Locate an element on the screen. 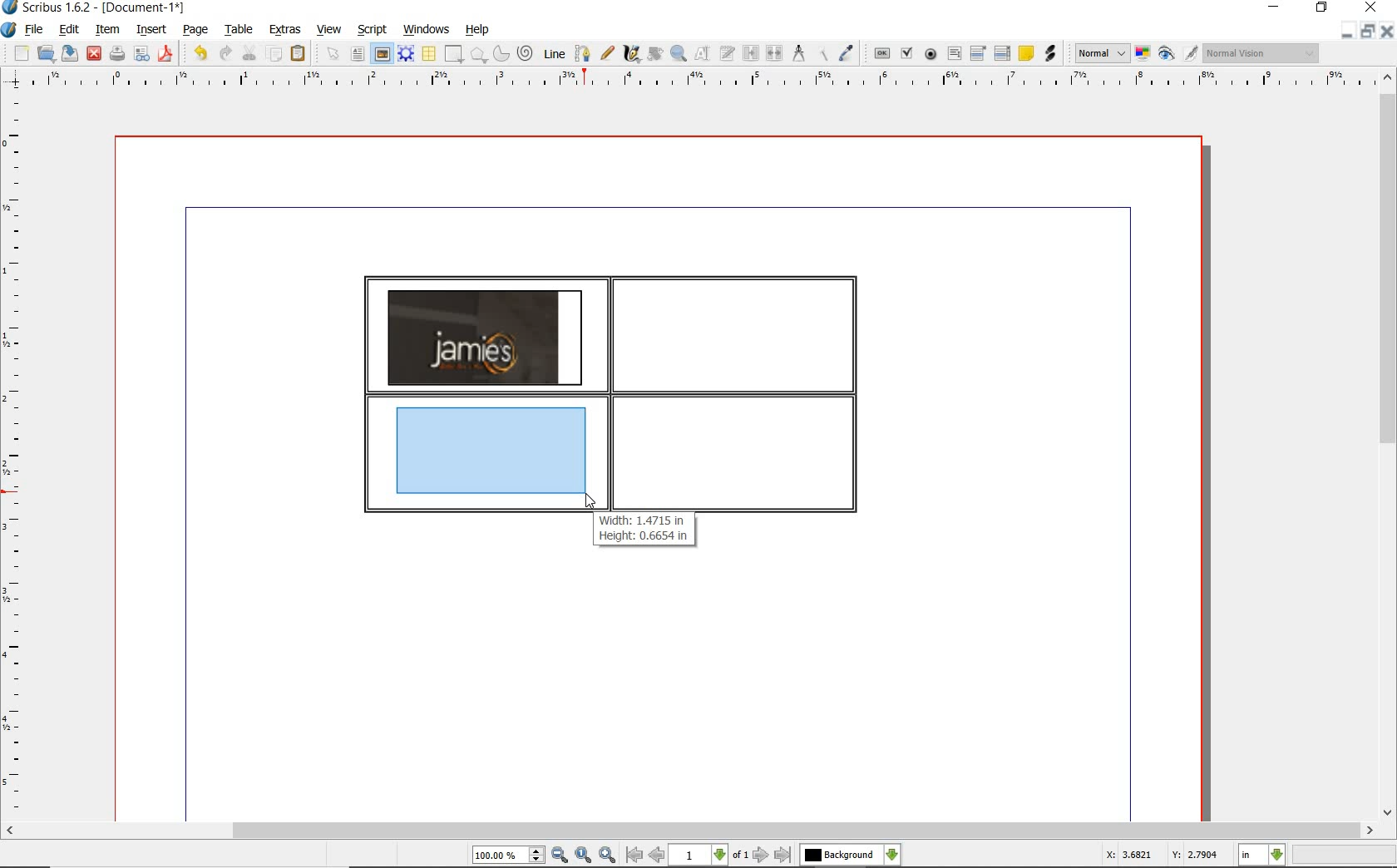 This screenshot has width=1397, height=868. Width: 1.4715 in Height: 0.6654 in is located at coordinates (644, 527).